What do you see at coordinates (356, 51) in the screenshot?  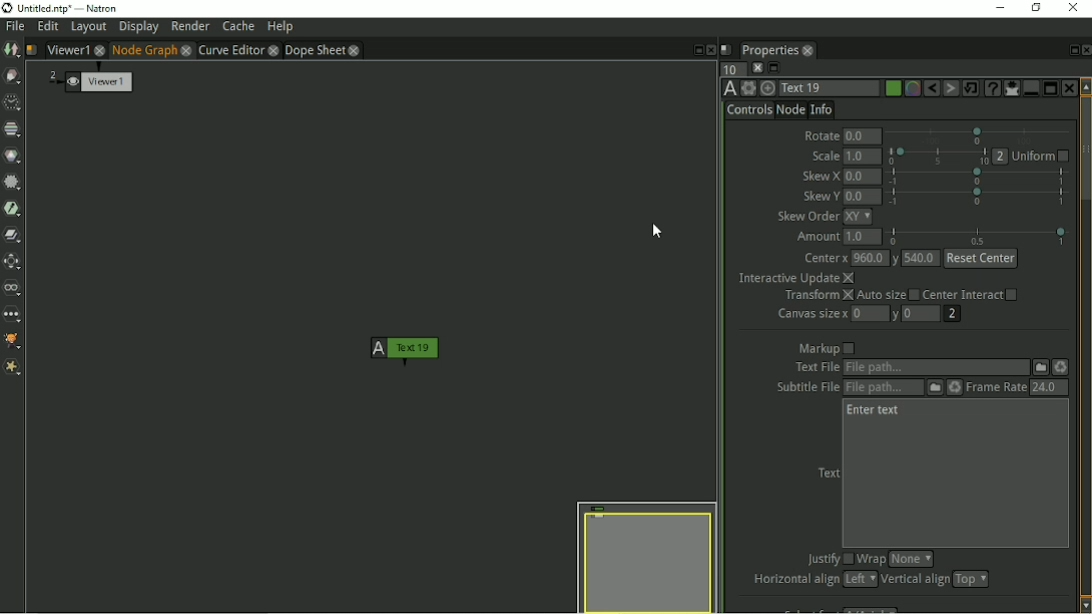 I see `close` at bounding box center [356, 51].